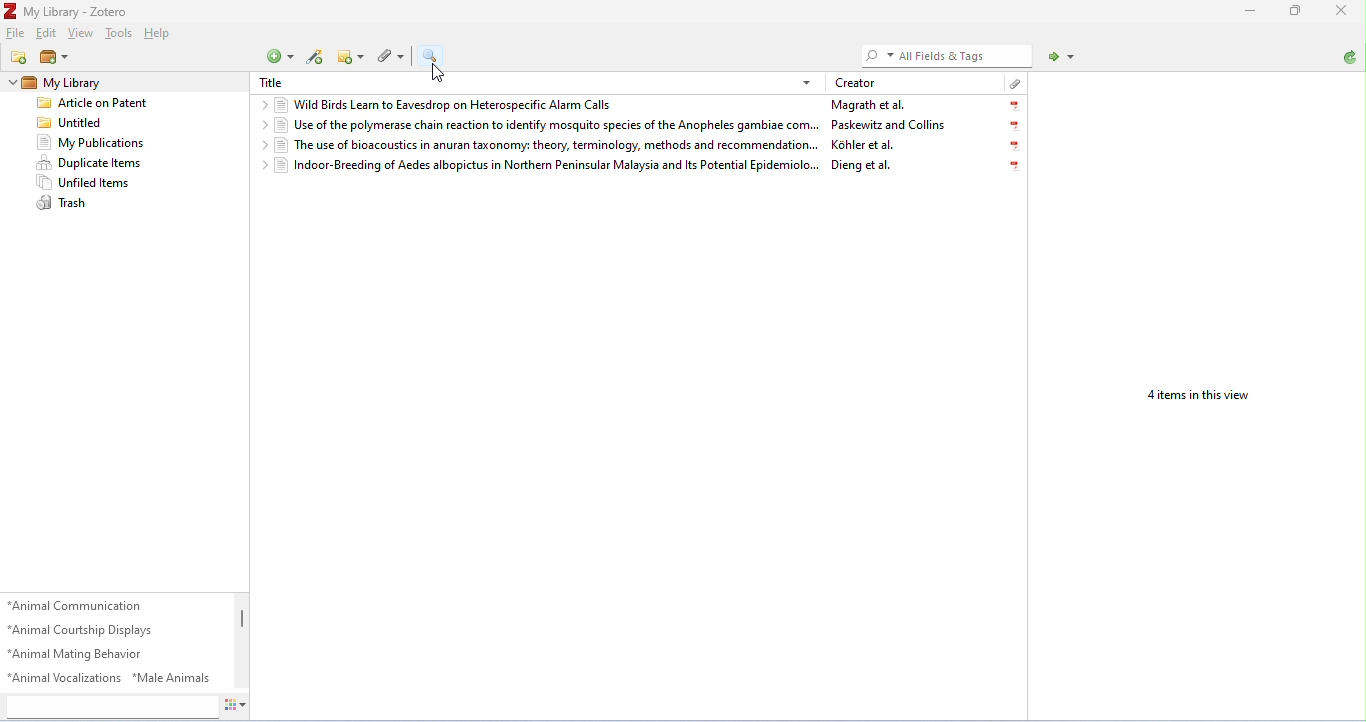  I want to click on Paskewitz and Collins, so click(887, 124).